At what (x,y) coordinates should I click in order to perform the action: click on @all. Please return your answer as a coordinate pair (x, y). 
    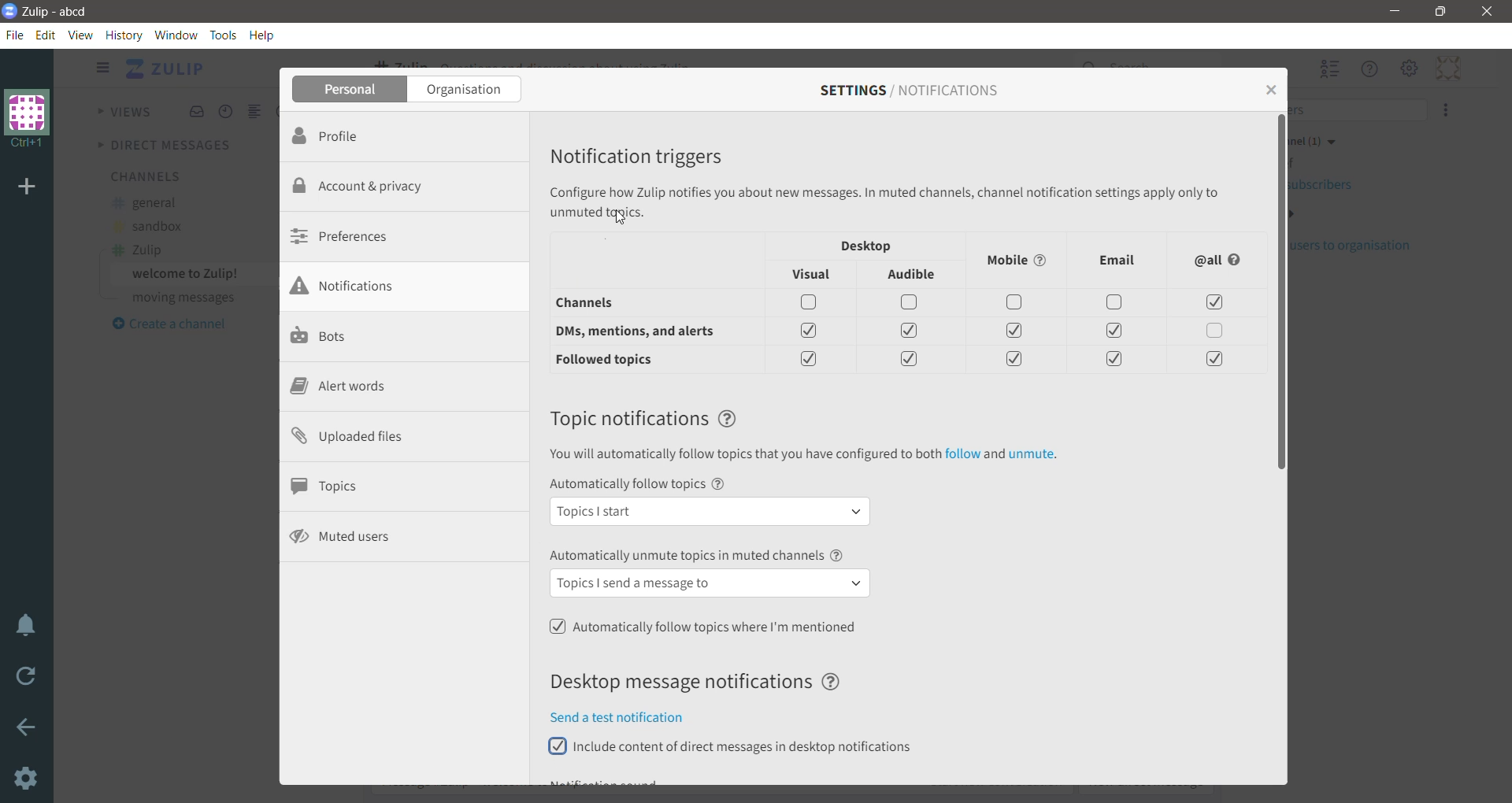
    Looking at the image, I should click on (1219, 261).